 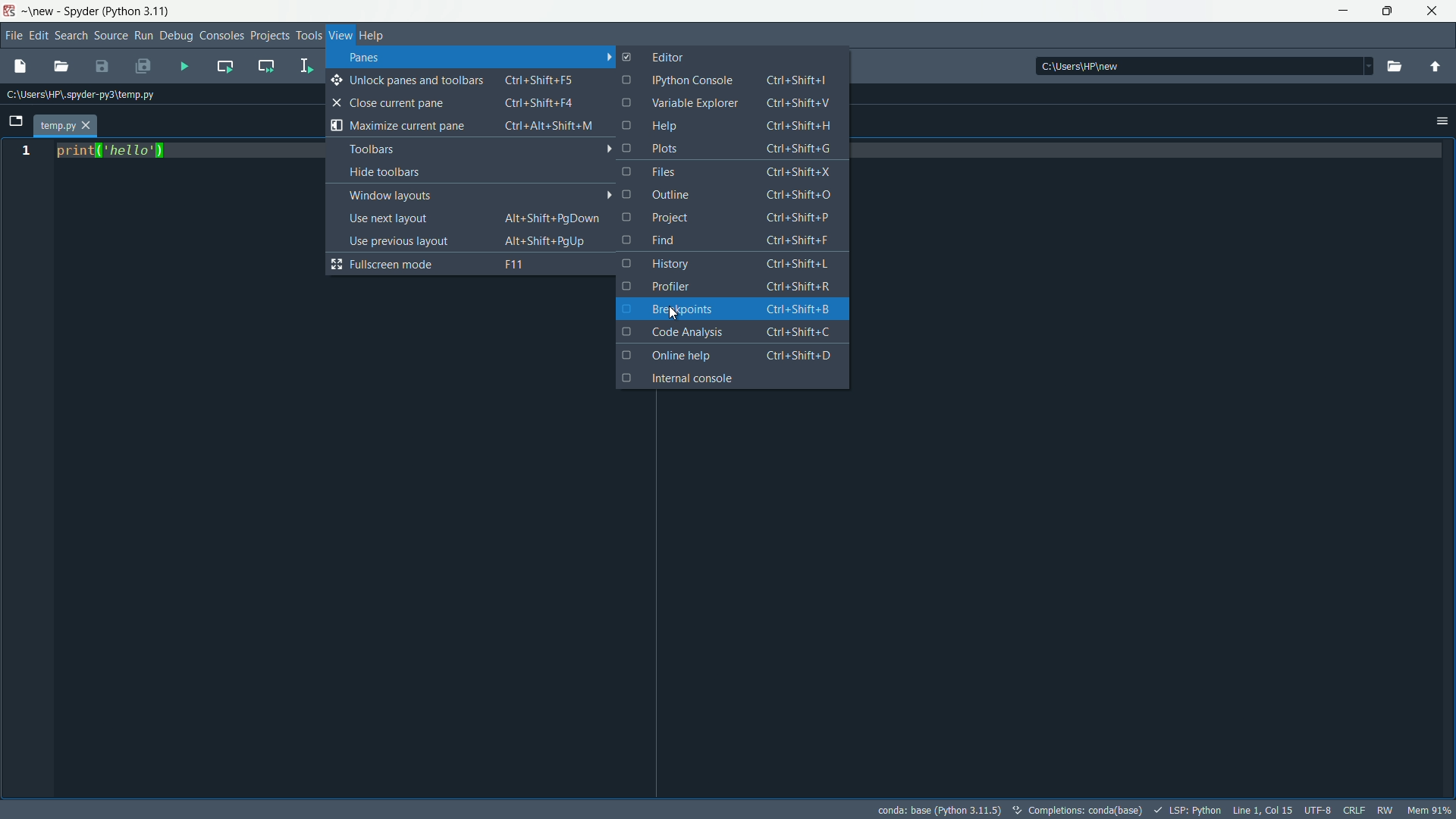 What do you see at coordinates (673, 312) in the screenshot?
I see `cursor` at bounding box center [673, 312].